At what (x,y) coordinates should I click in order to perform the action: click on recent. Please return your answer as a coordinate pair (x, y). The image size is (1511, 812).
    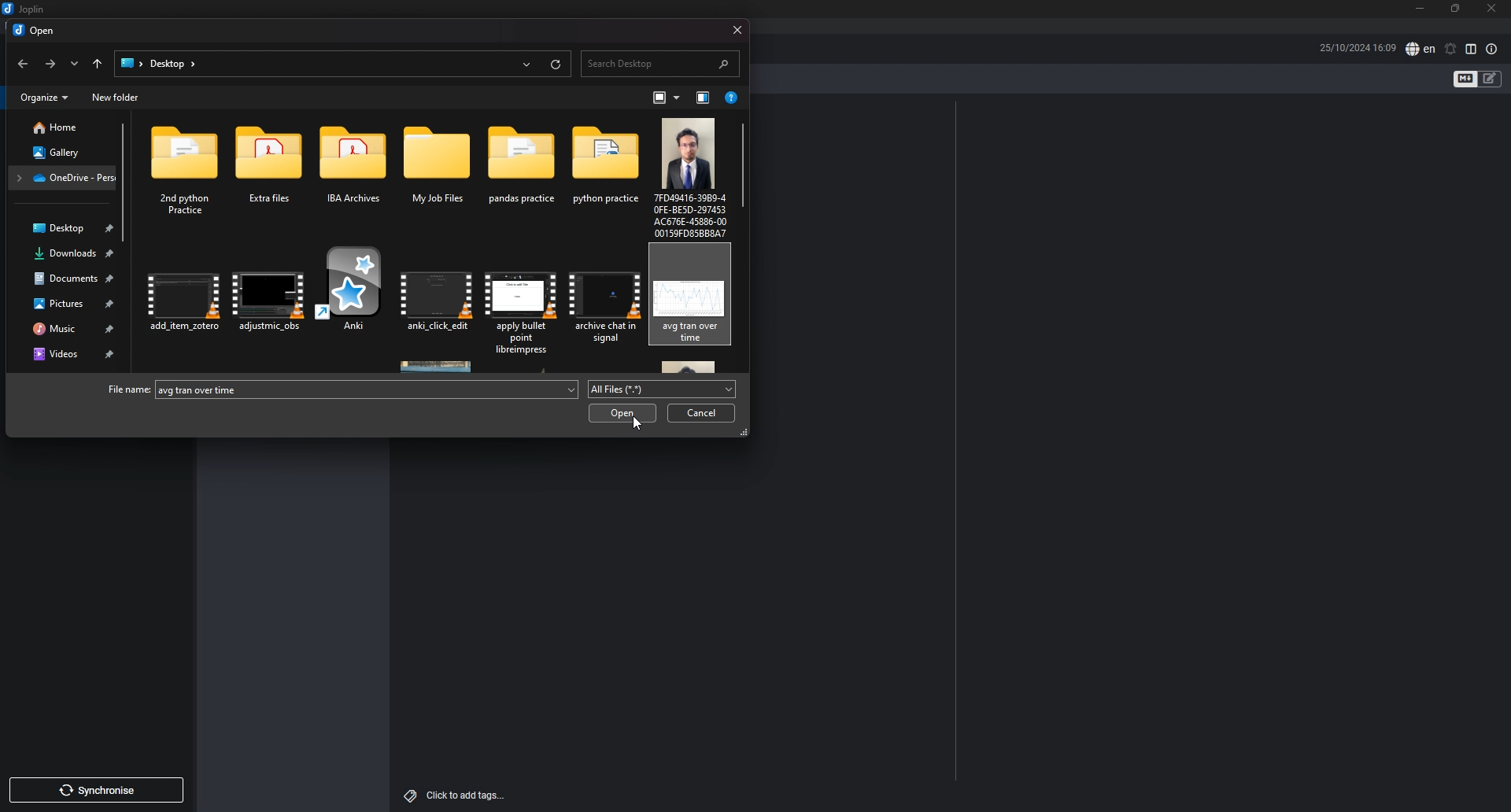
    Looking at the image, I should click on (71, 65).